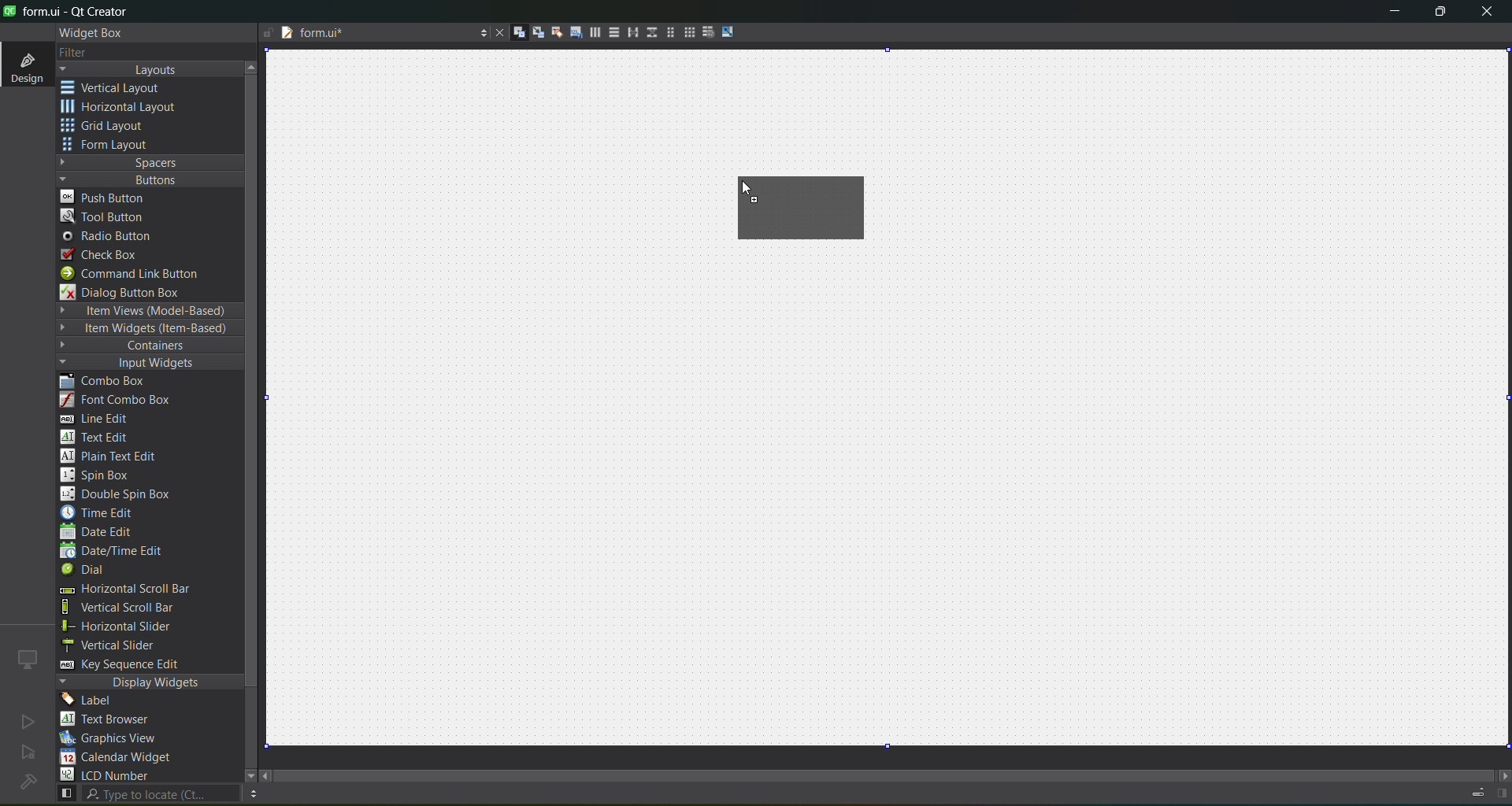 The image size is (1512, 806). Describe the element at coordinates (131, 665) in the screenshot. I see `key sequence edit` at that location.